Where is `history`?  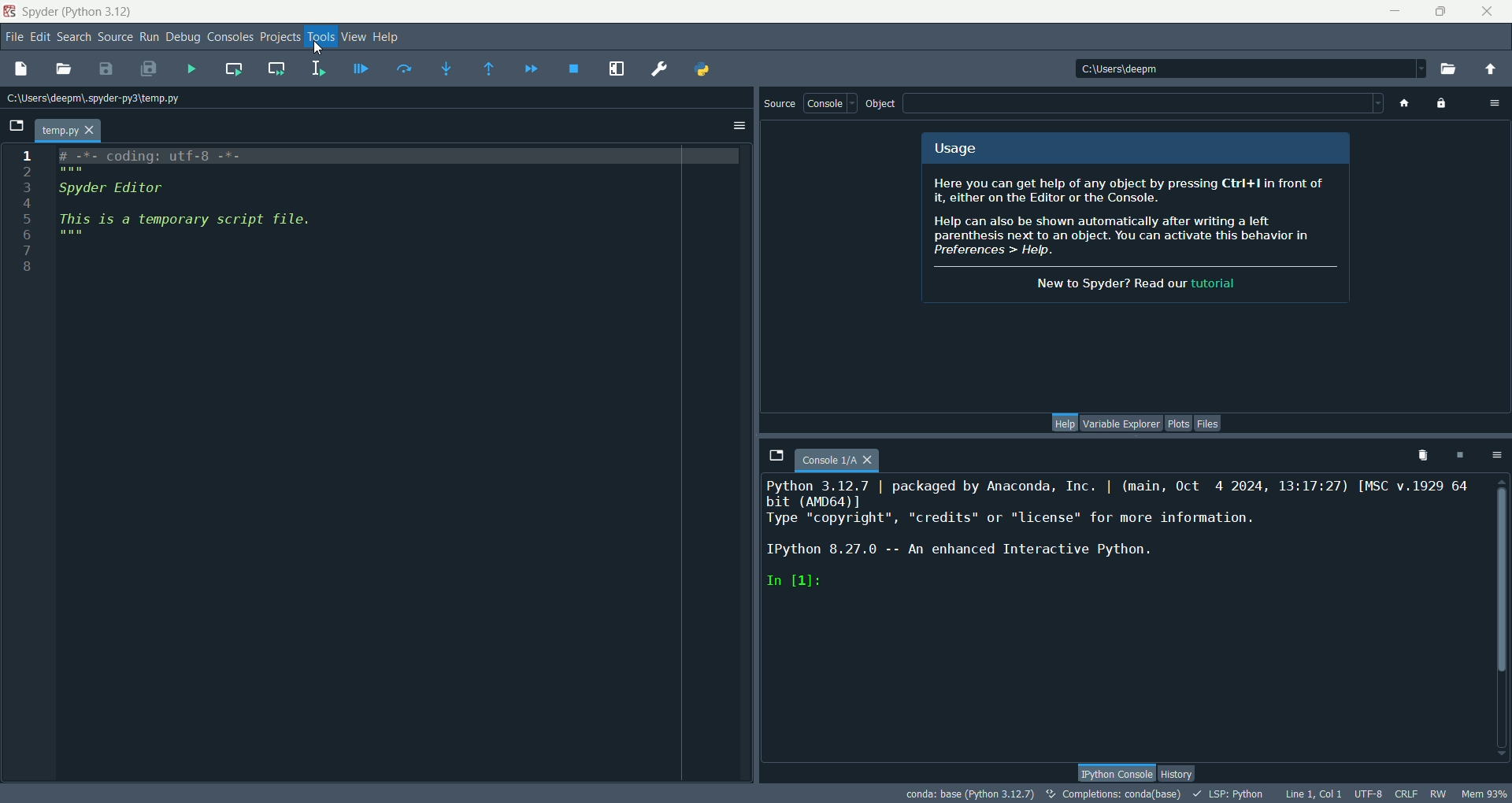 history is located at coordinates (1183, 772).